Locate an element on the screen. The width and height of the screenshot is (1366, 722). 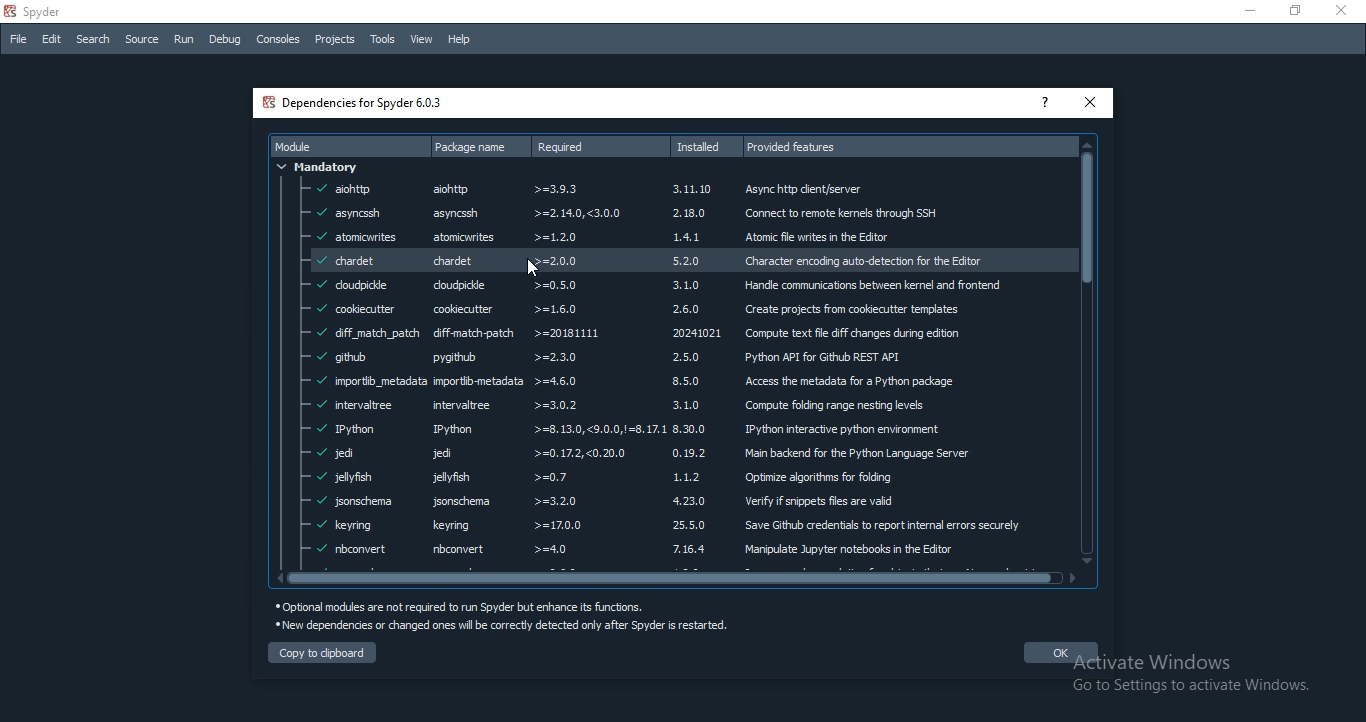
copy to clipboard is located at coordinates (324, 653).